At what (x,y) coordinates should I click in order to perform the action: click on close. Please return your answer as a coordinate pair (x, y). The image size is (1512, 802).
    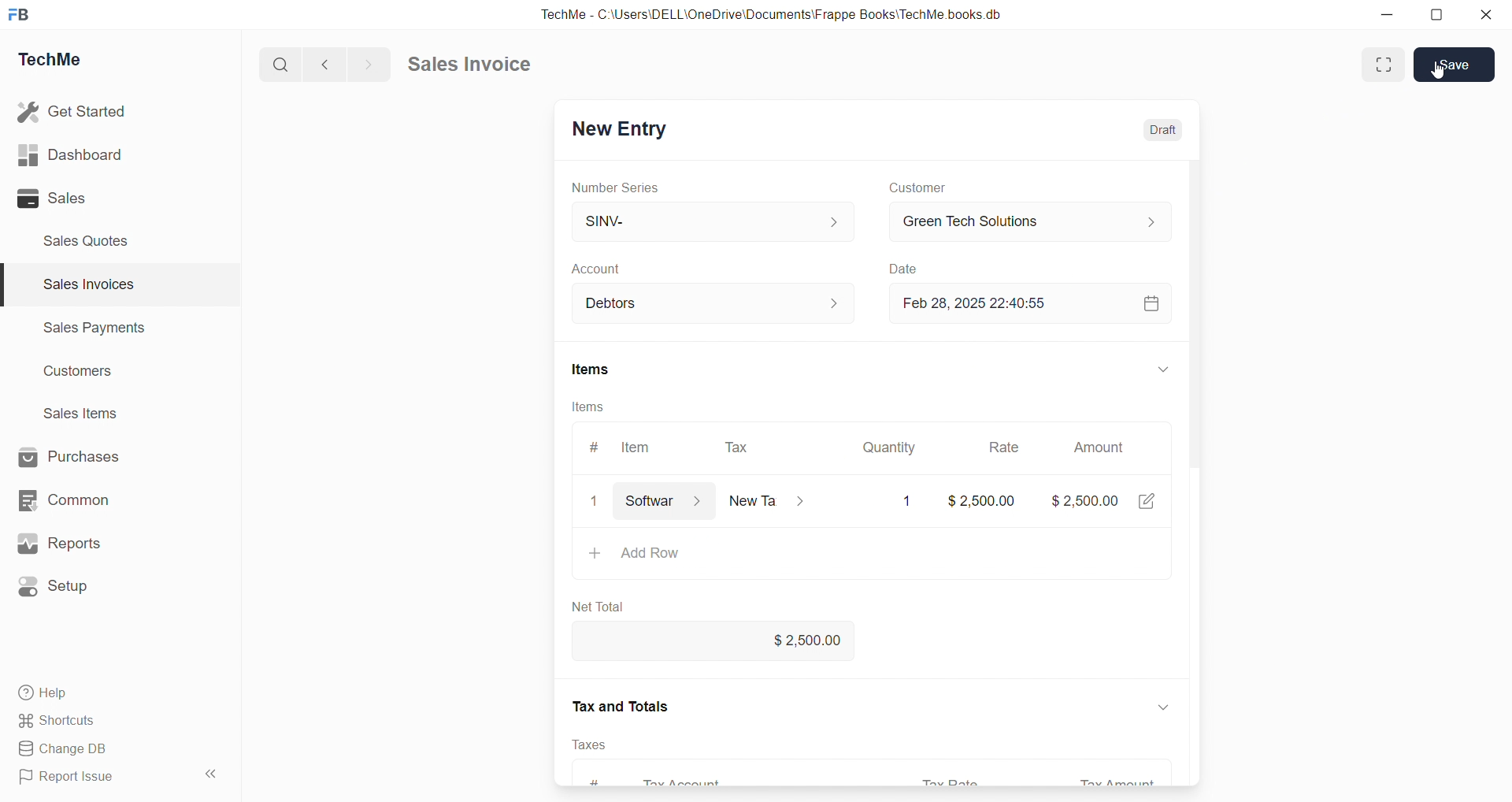
    Looking at the image, I should click on (595, 501).